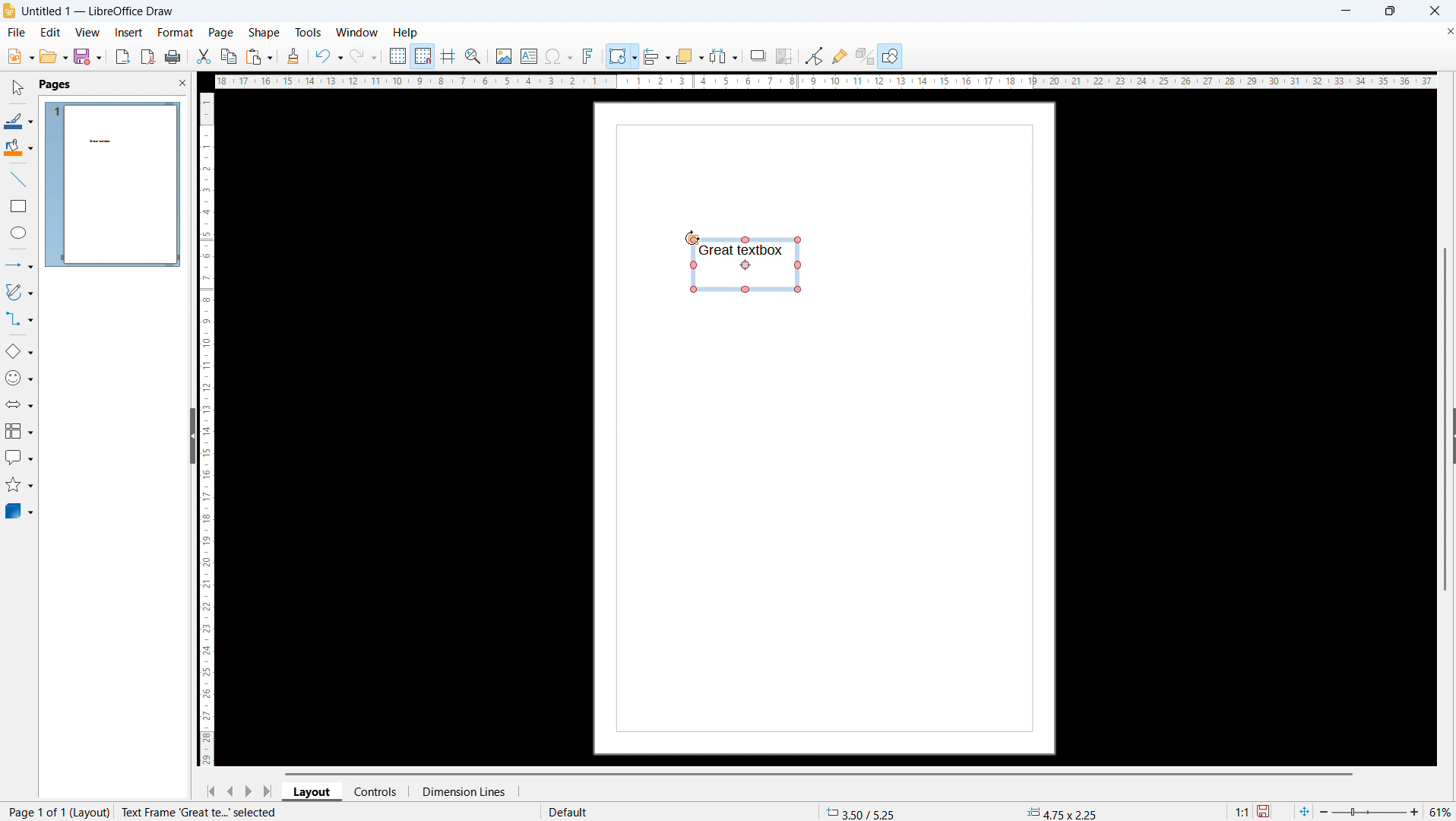 The image size is (1456, 821). Describe the element at coordinates (1442, 813) in the screenshot. I see `Zoom level` at that location.